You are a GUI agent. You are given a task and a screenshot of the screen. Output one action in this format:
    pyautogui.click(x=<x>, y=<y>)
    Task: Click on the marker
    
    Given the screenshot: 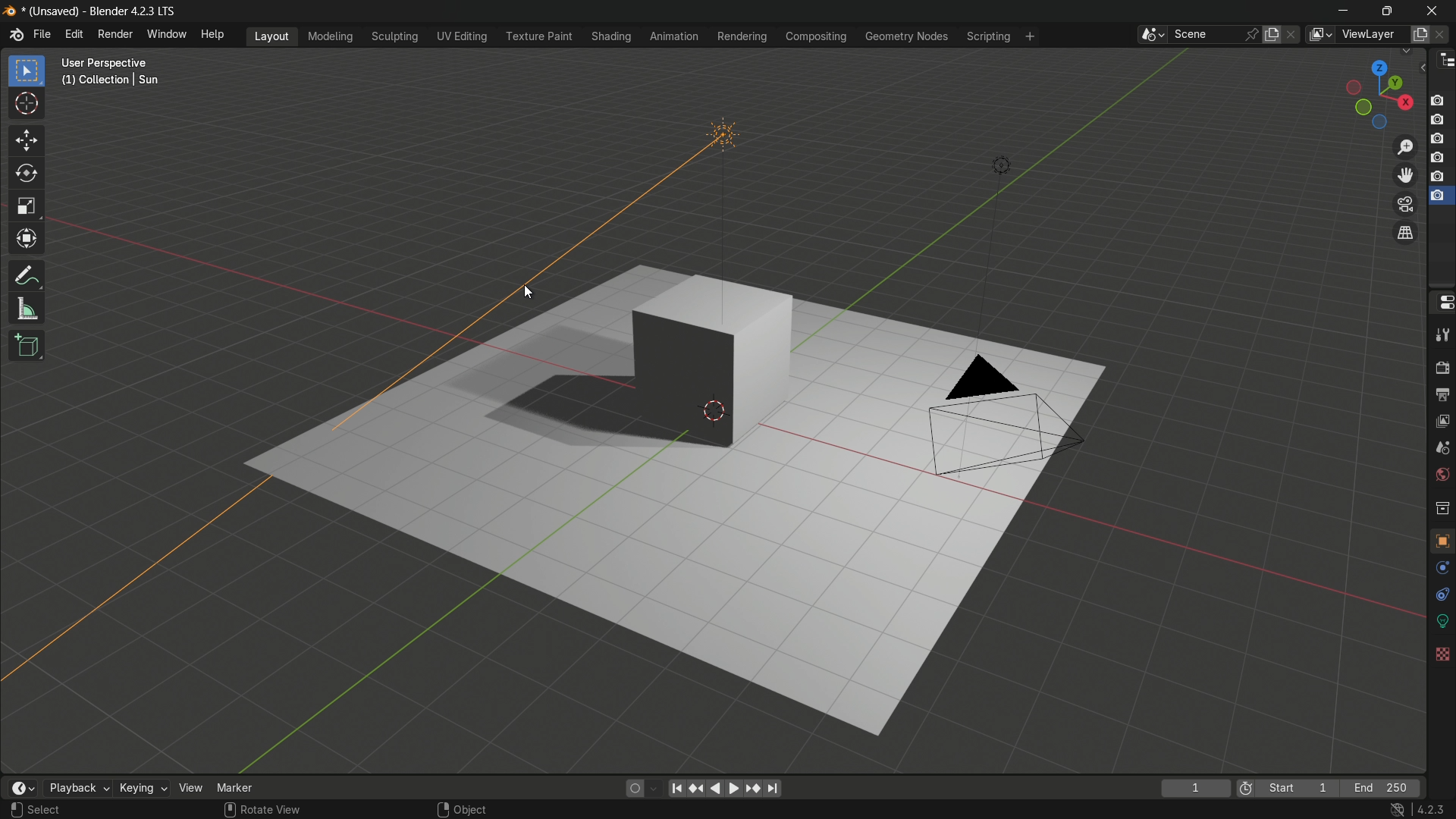 What is the action you would take?
    pyautogui.click(x=239, y=787)
    